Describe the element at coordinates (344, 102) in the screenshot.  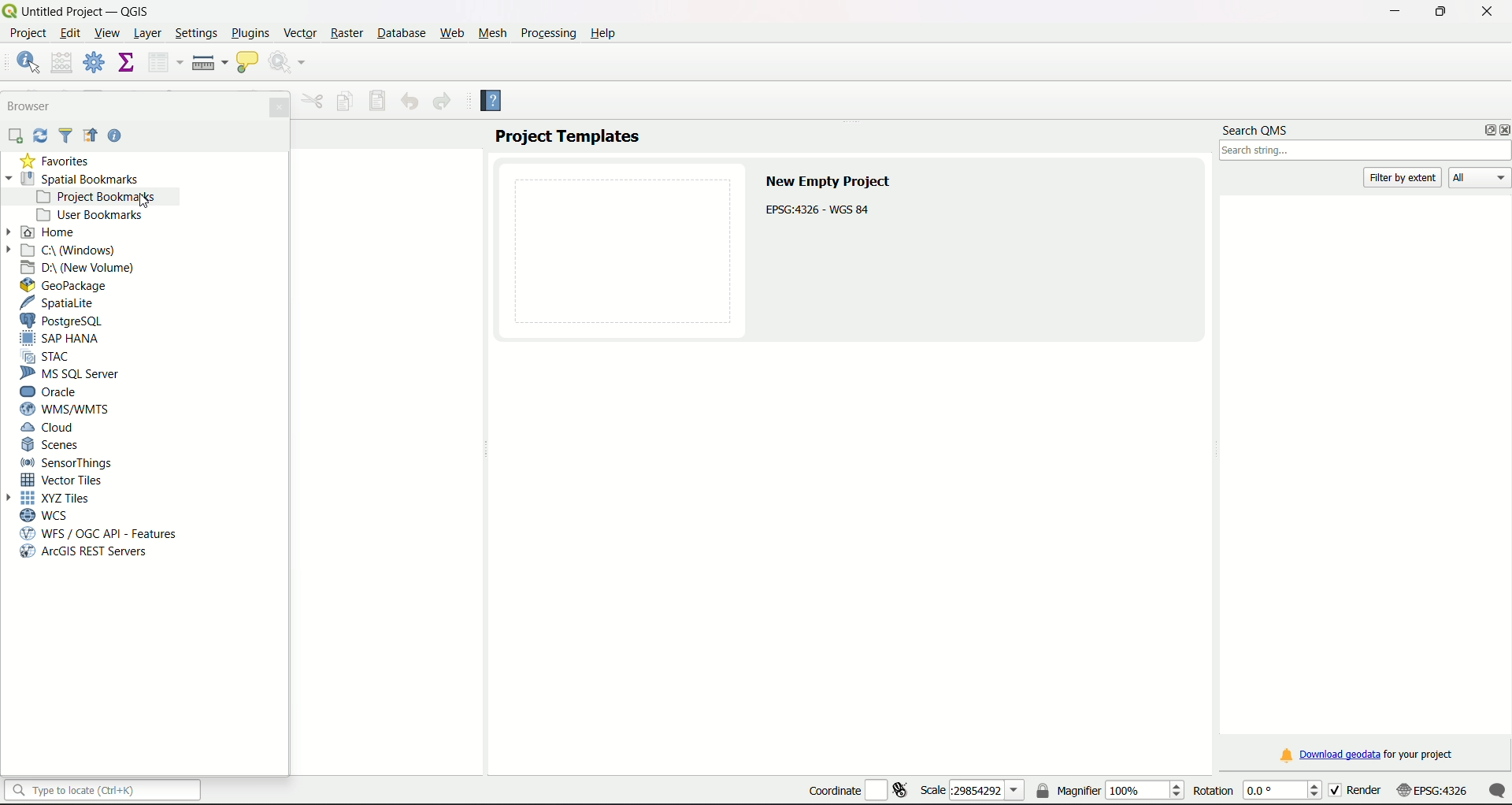
I see `Copy feature` at that location.